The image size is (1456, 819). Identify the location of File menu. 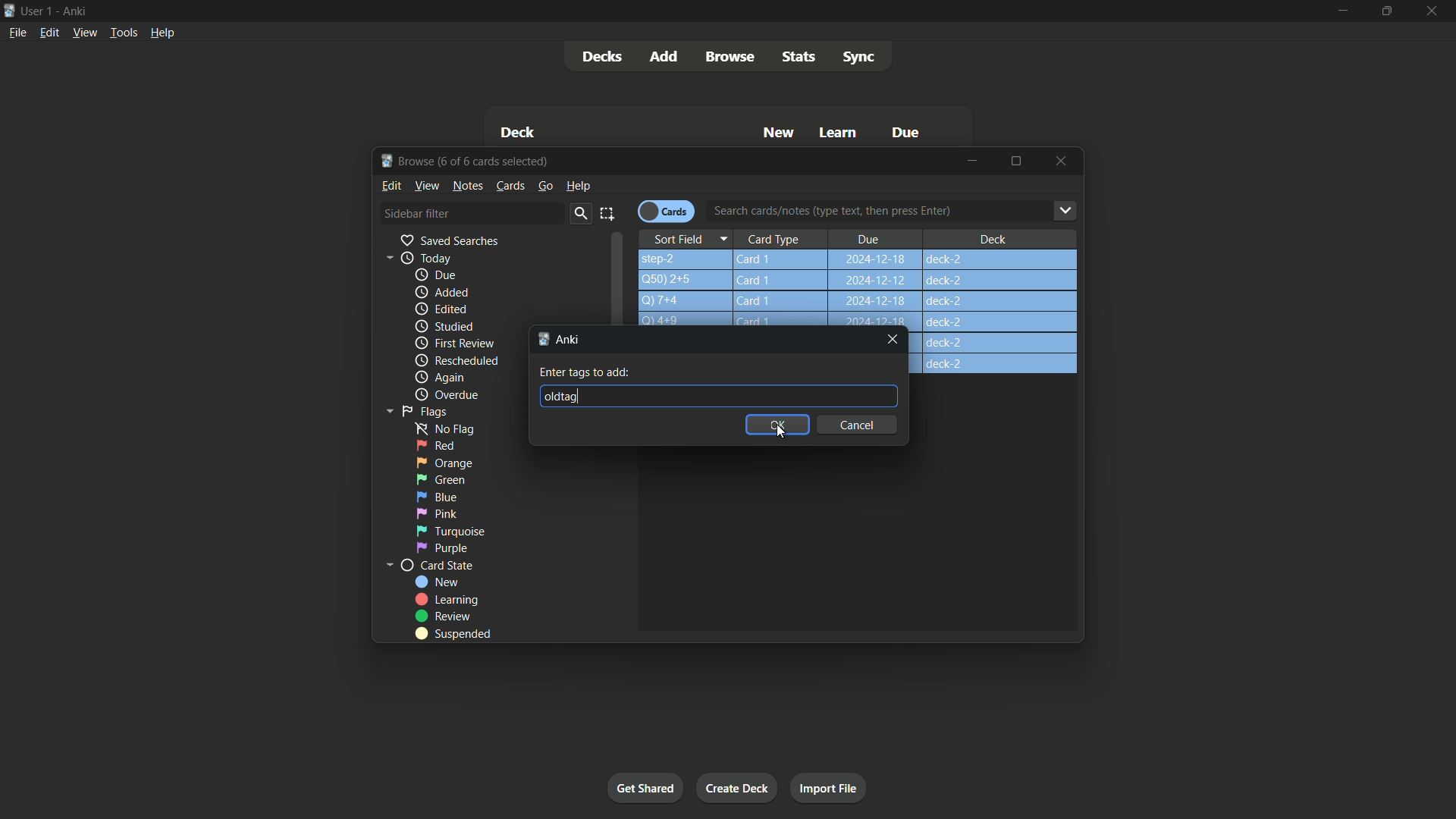
(16, 35).